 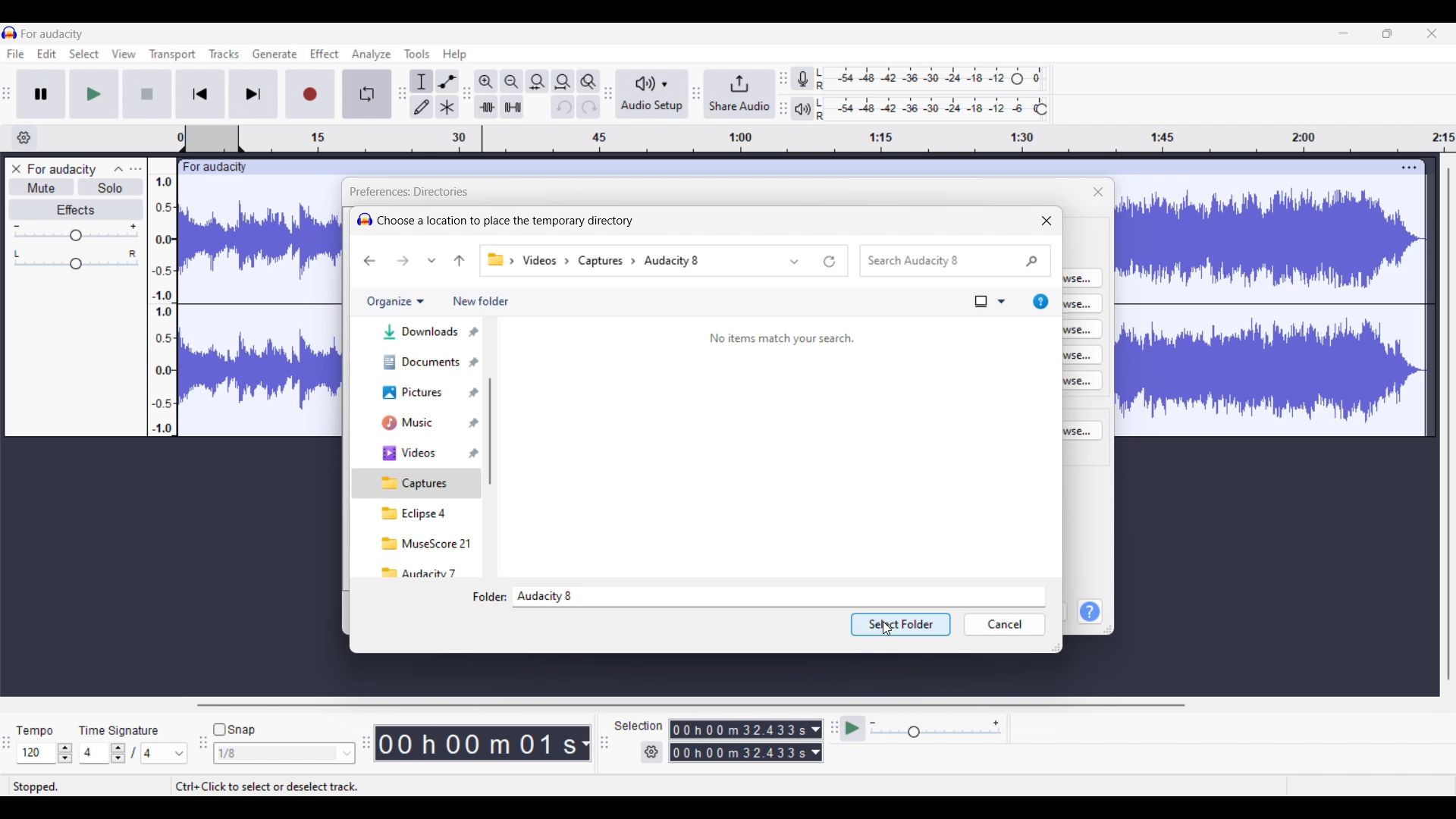 I want to click on Collapse , so click(x=118, y=170).